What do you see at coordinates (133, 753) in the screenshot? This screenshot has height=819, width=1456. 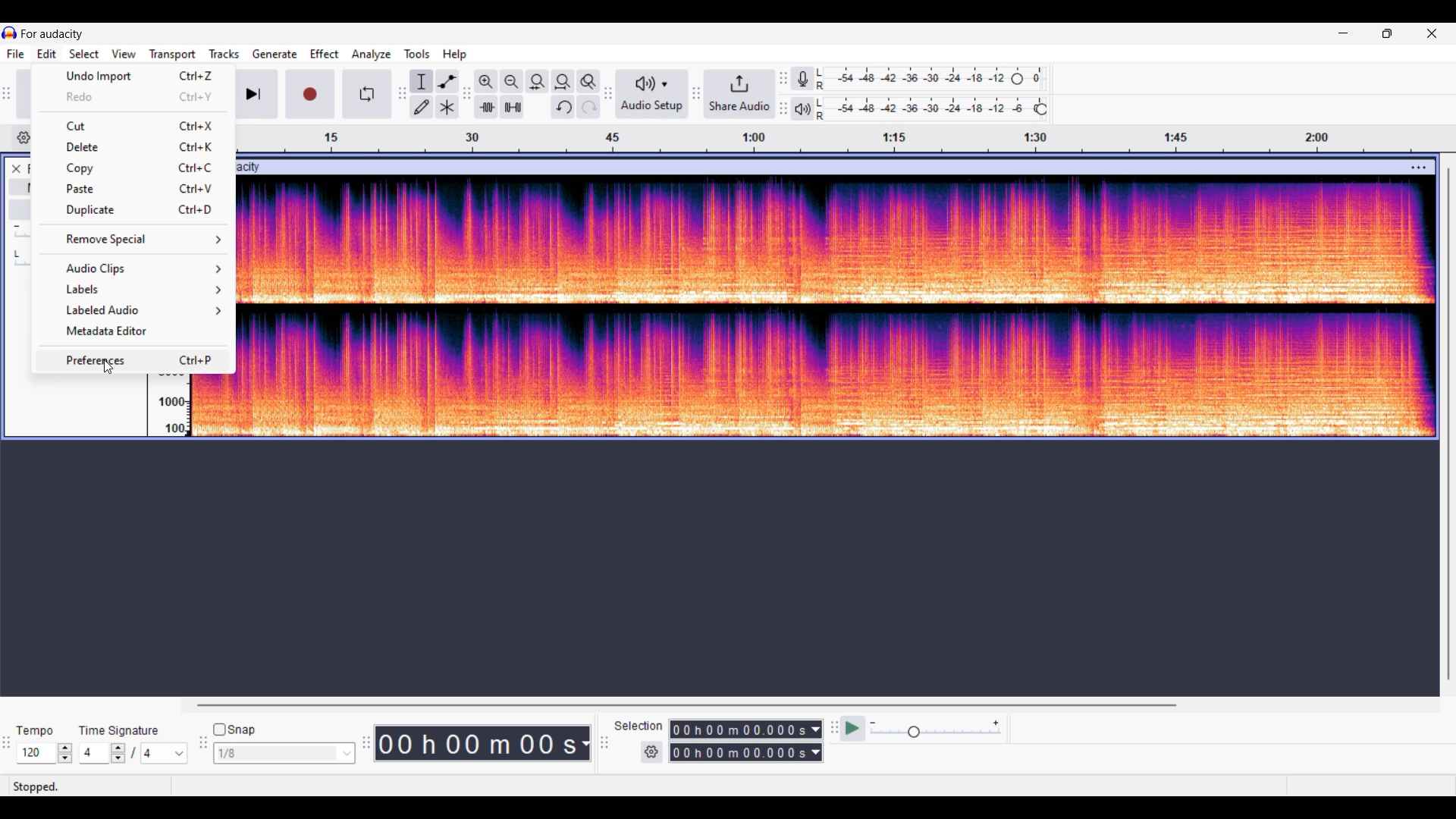 I see `Time signature settings` at bounding box center [133, 753].